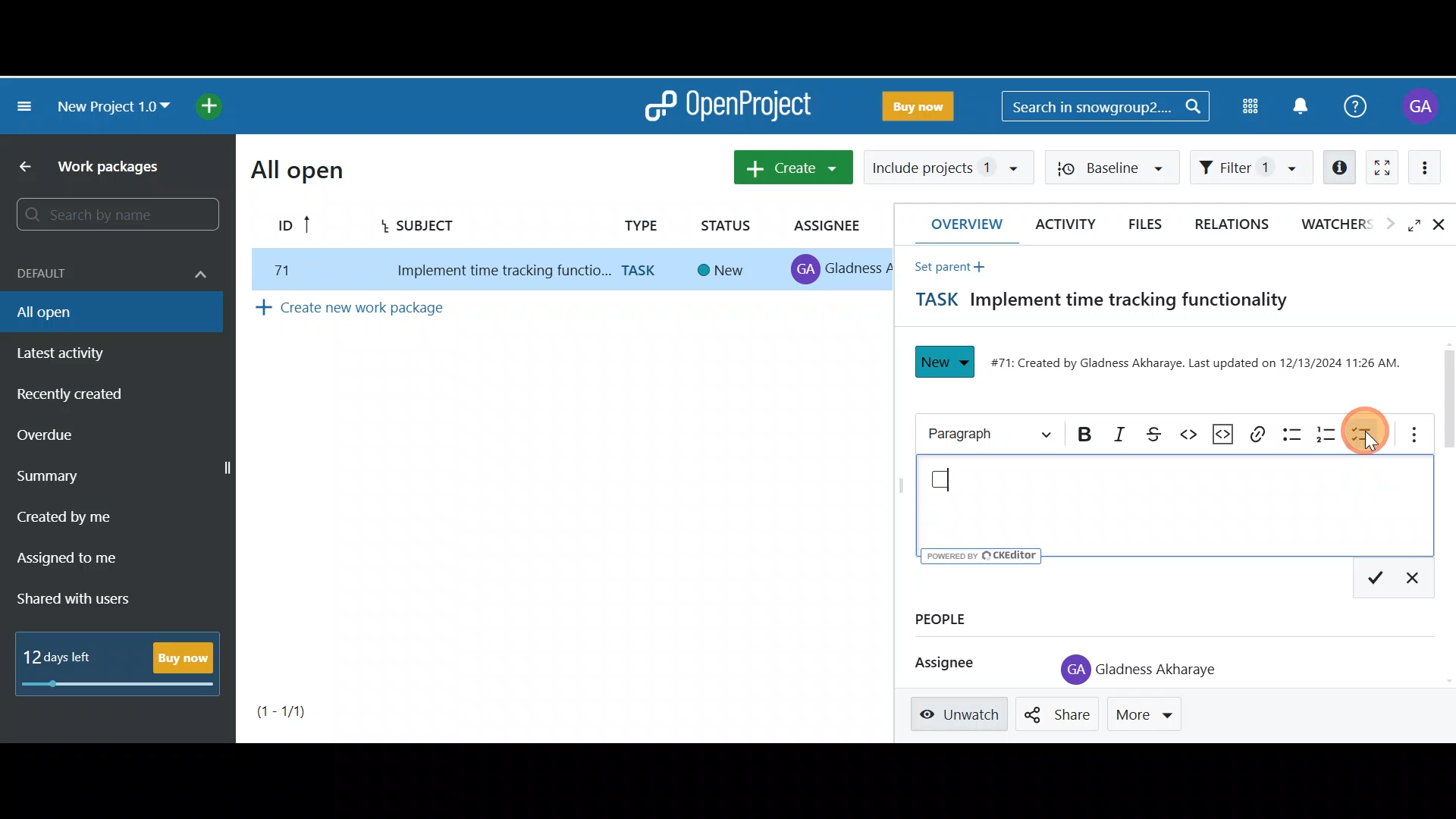 The height and width of the screenshot is (819, 1456). Describe the element at coordinates (1159, 670) in the screenshot. I see `Gladness Akharaye` at that location.